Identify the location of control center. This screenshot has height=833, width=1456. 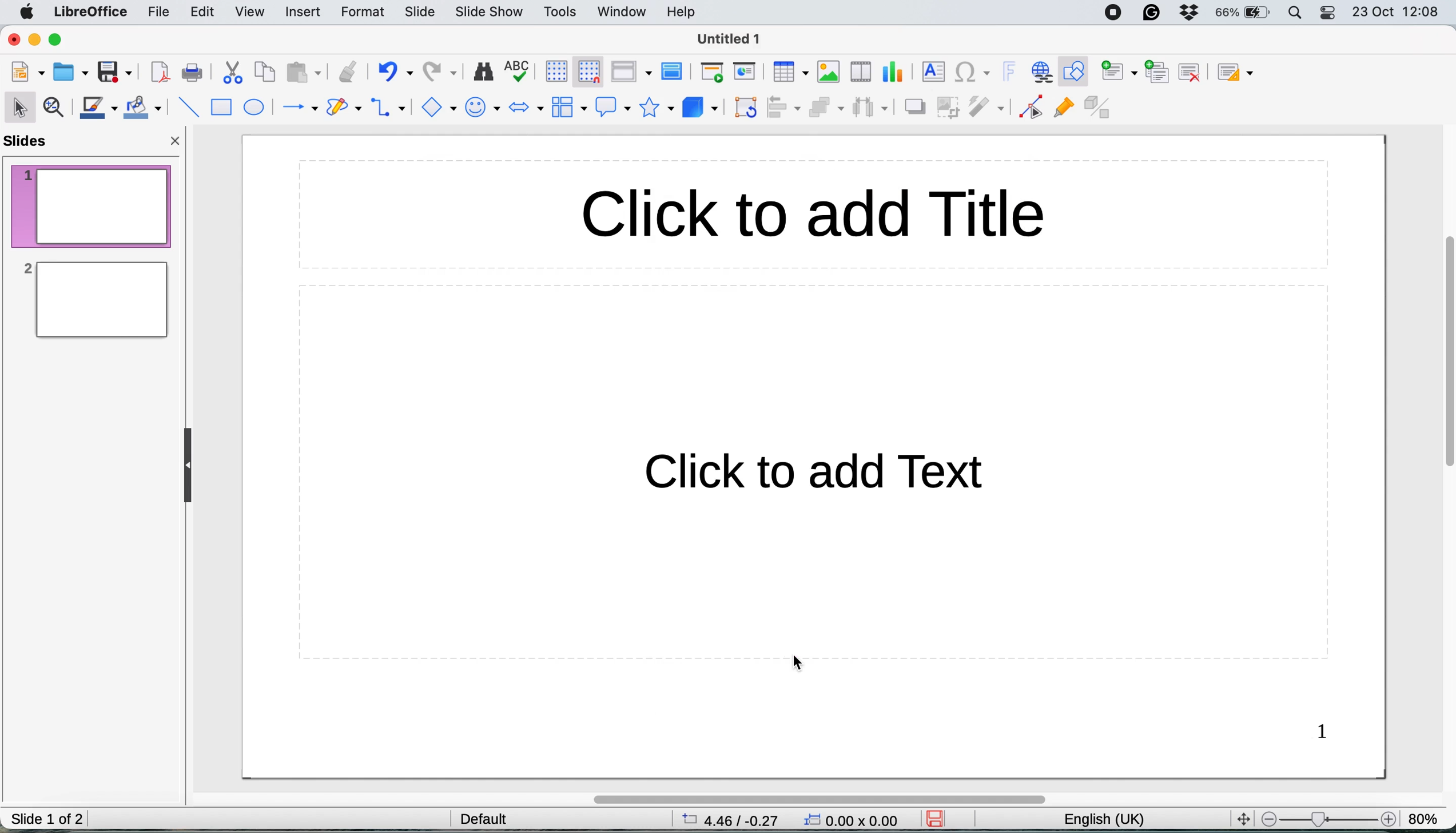
(1329, 14).